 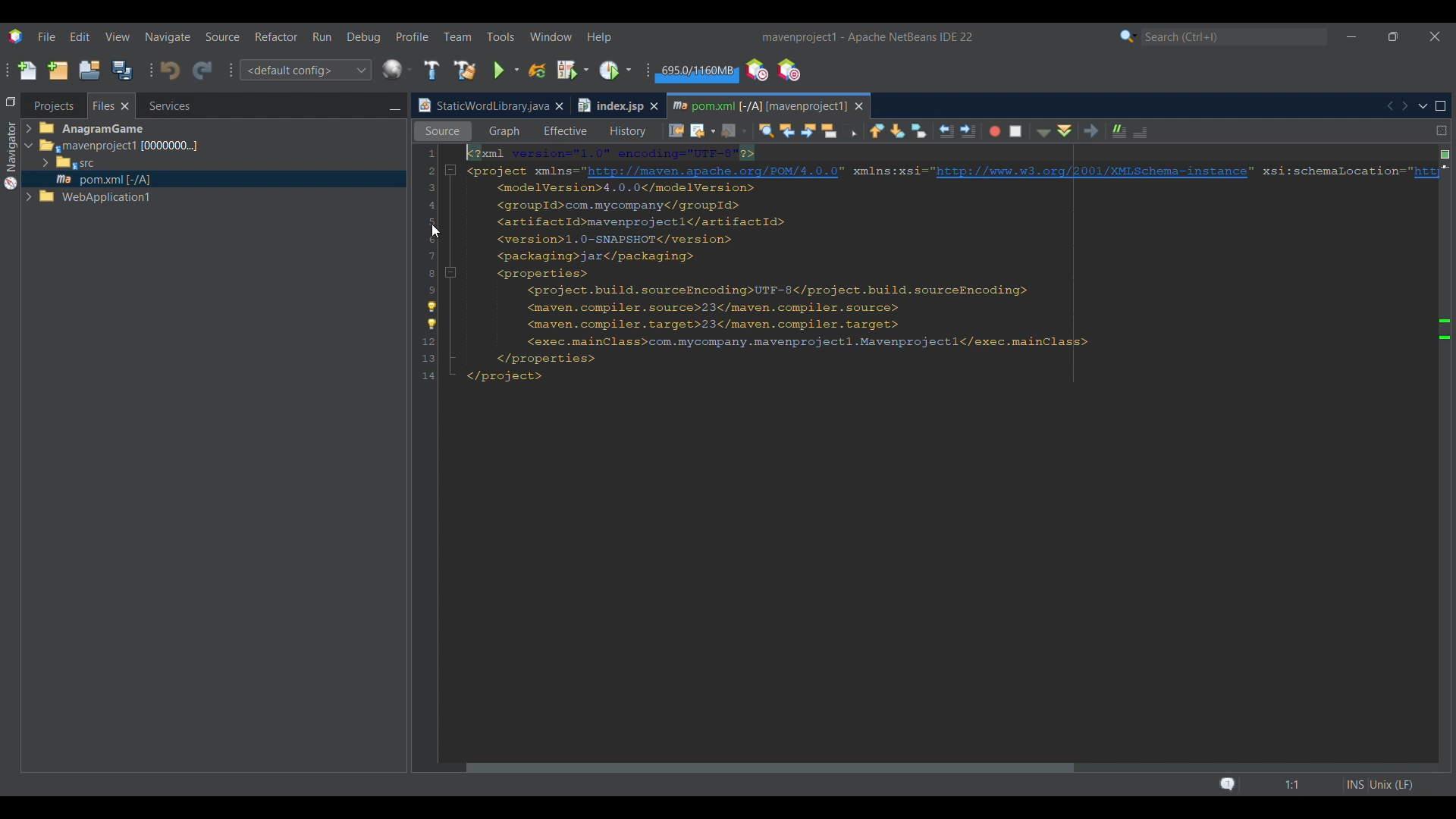 I want to click on Expand, so click(x=31, y=165).